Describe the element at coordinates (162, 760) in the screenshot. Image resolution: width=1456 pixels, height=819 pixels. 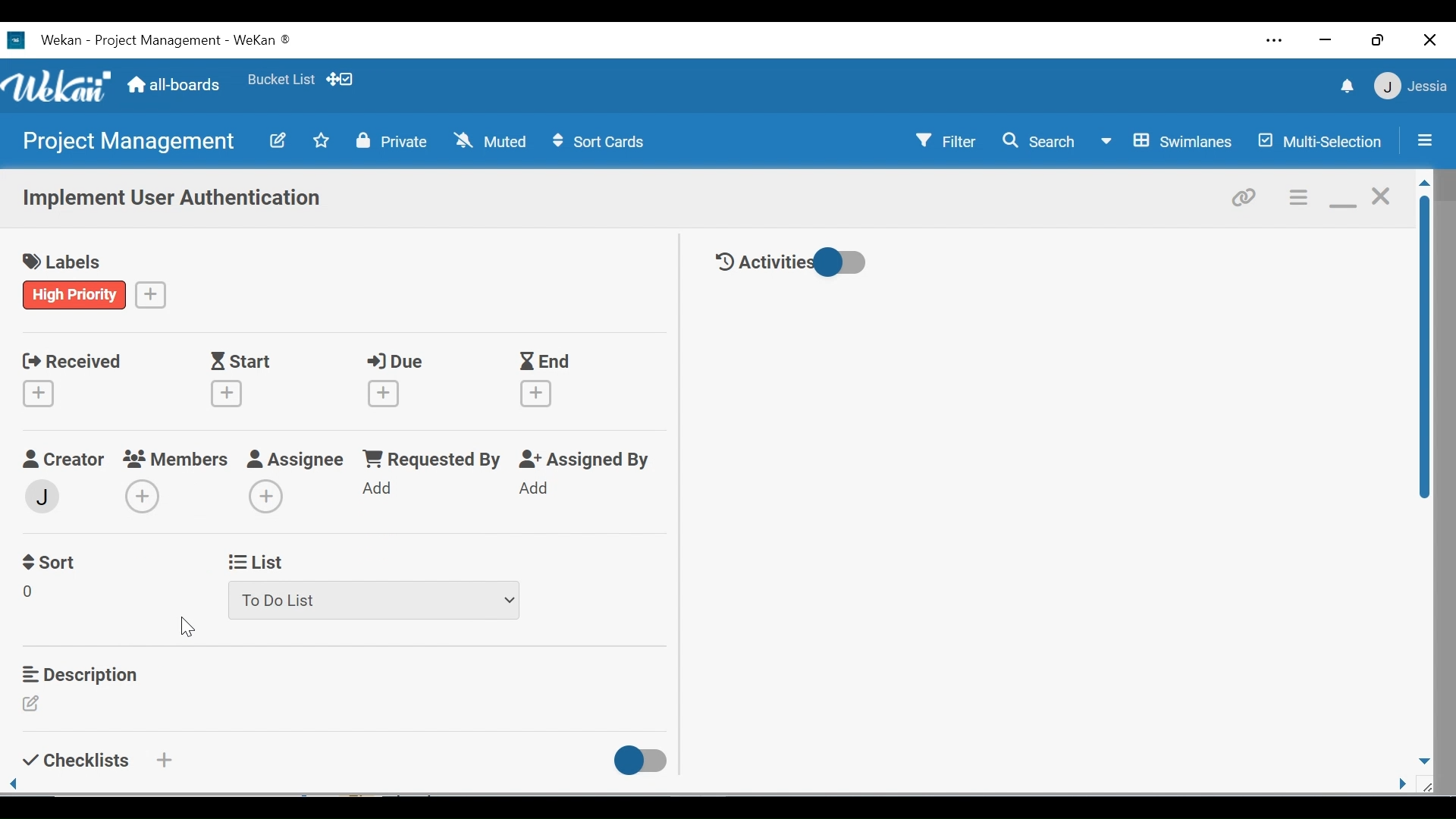
I see `add` at that location.